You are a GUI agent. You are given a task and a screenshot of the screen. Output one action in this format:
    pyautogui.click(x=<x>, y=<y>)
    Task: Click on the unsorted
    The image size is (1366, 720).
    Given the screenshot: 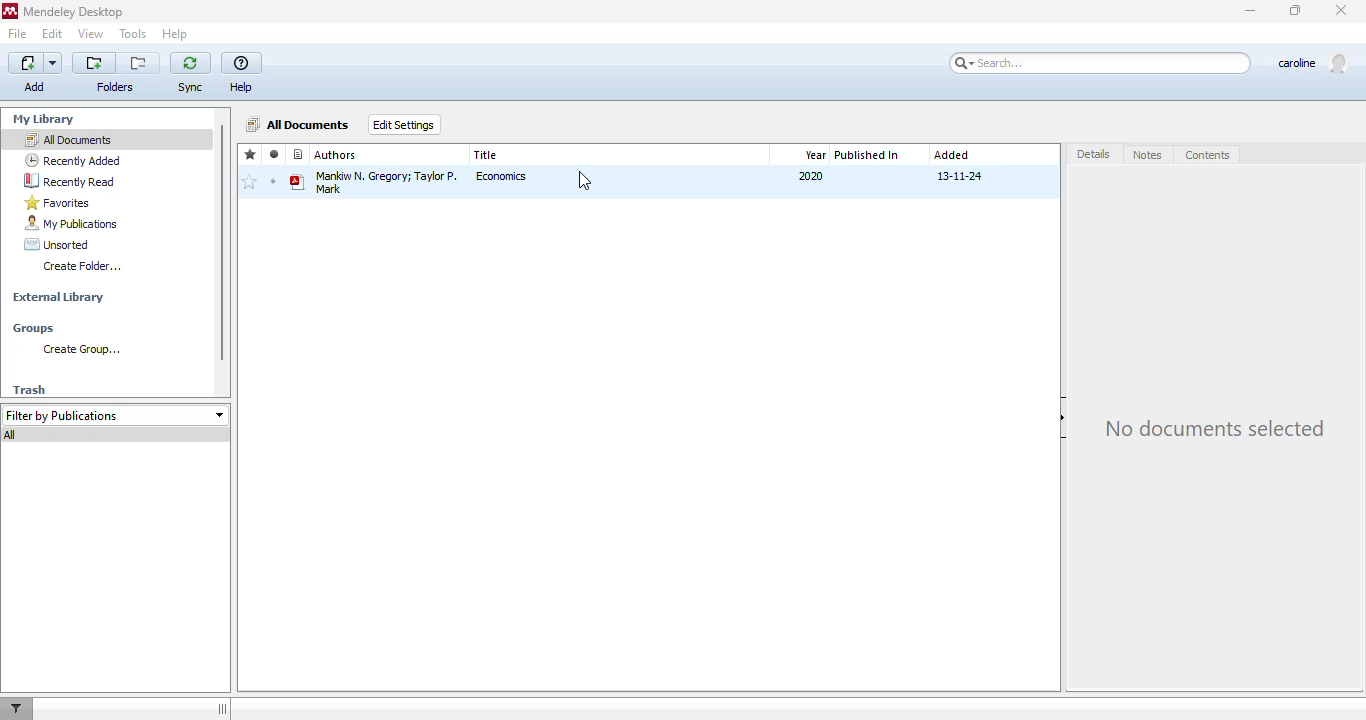 What is the action you would take?
    pyautogui.click(x=58, y=244)
    